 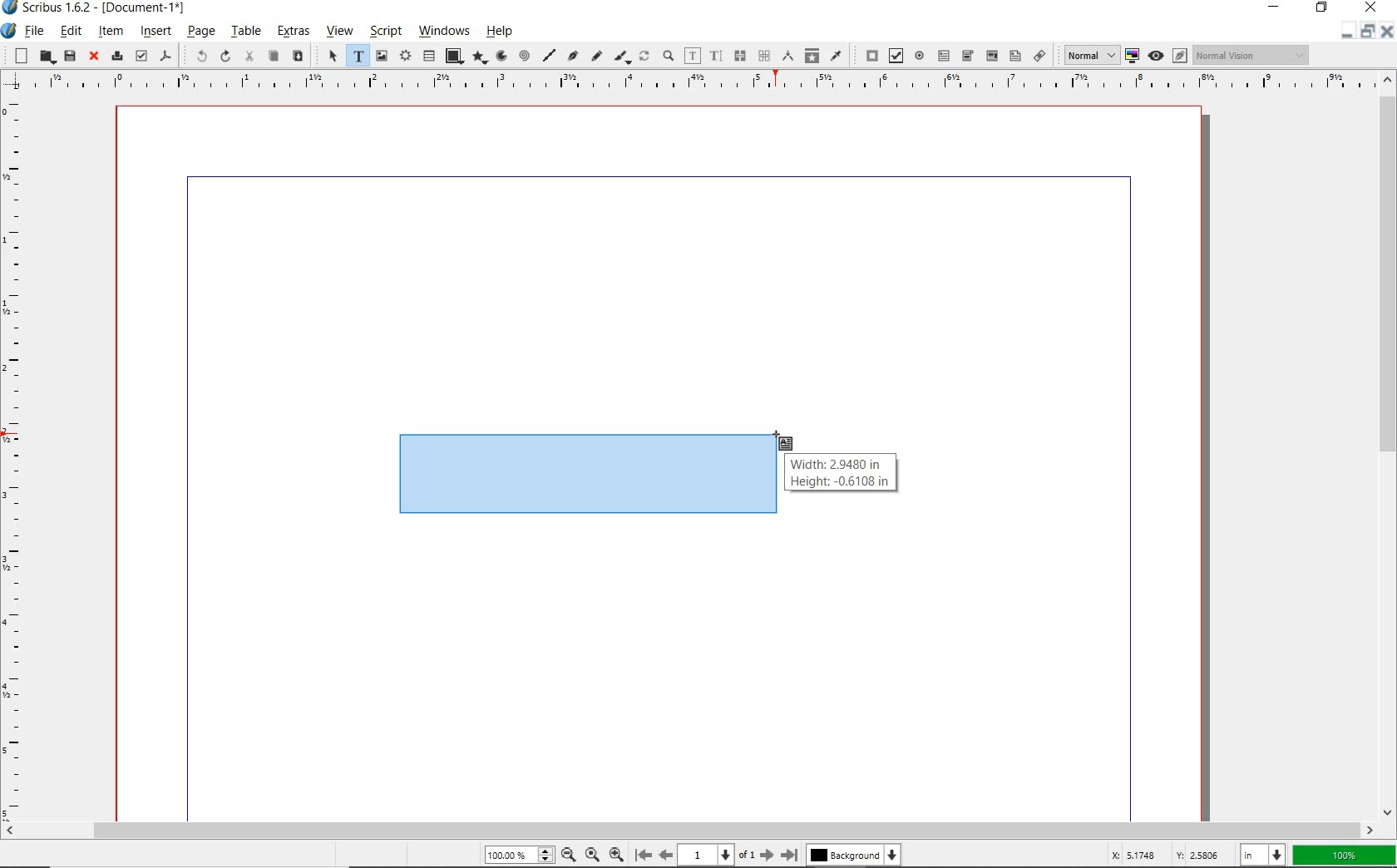 What do you see at coordinates (1133, 57) in the screenshot?
I see `toggle color` at bounding box center [1133, 57].